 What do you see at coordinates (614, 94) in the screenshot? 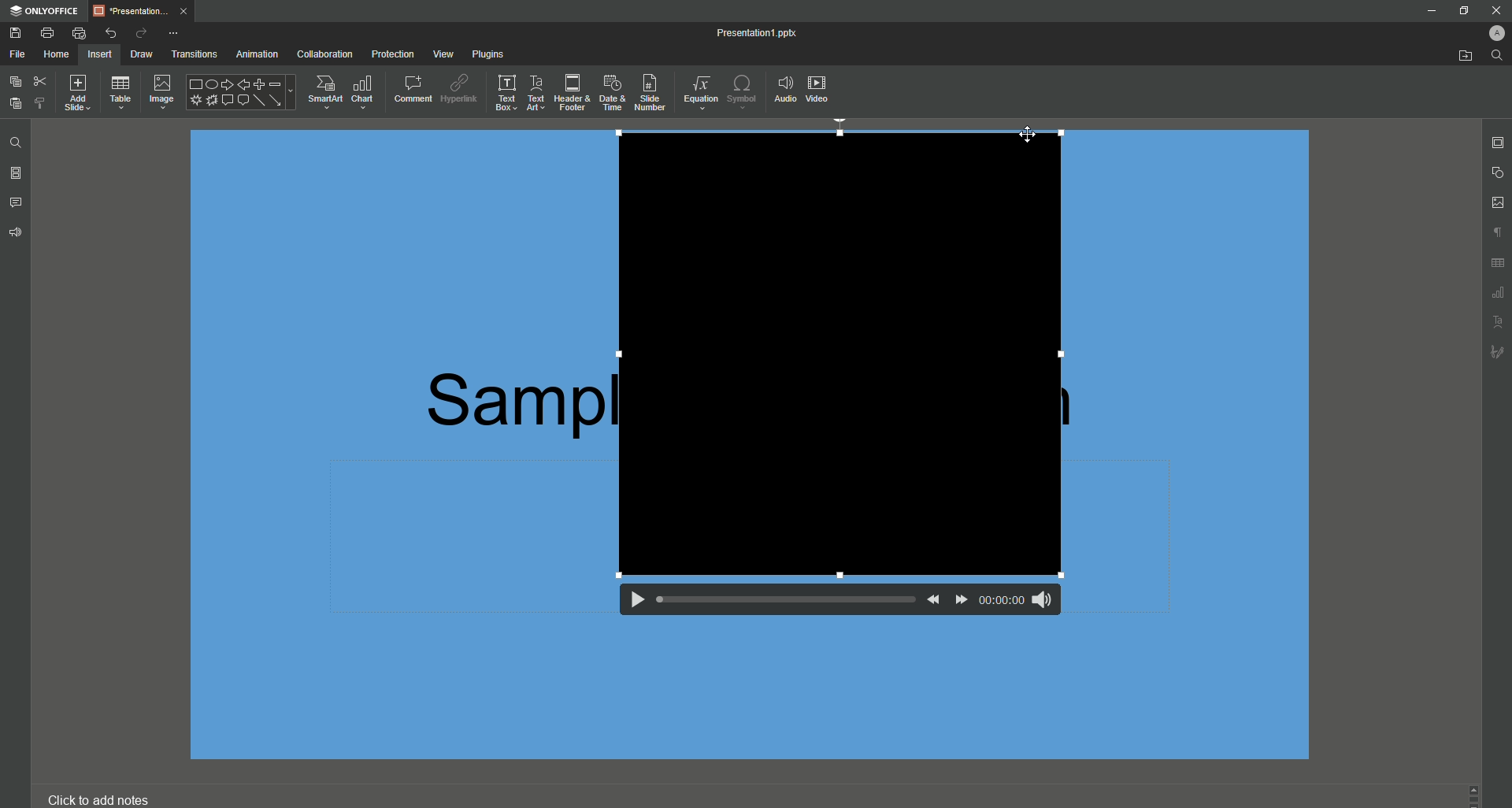
I see `Date and Time` at bounding box center [614, 94].